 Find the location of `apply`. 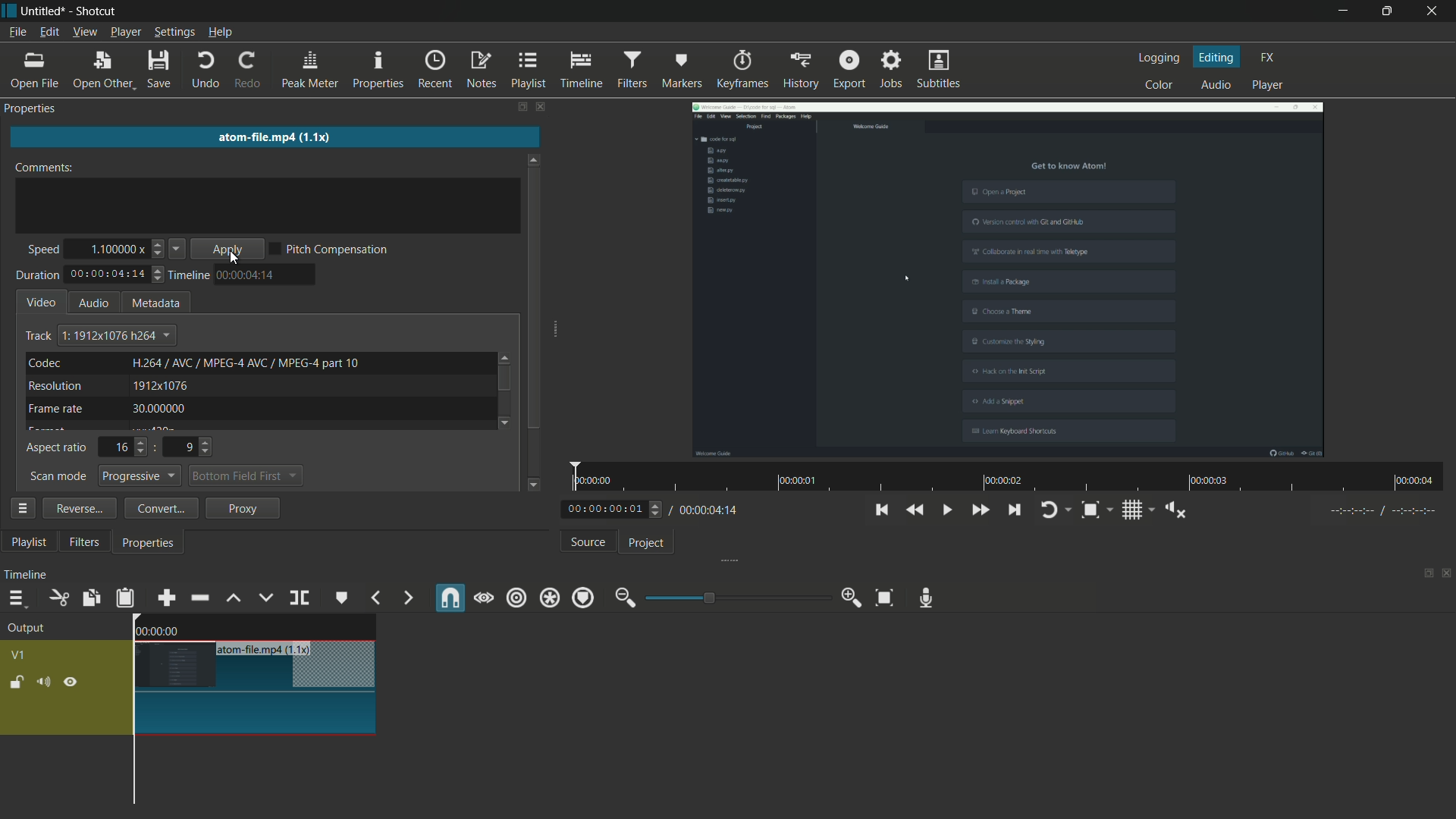

apply is located at coordinates (231, 250).